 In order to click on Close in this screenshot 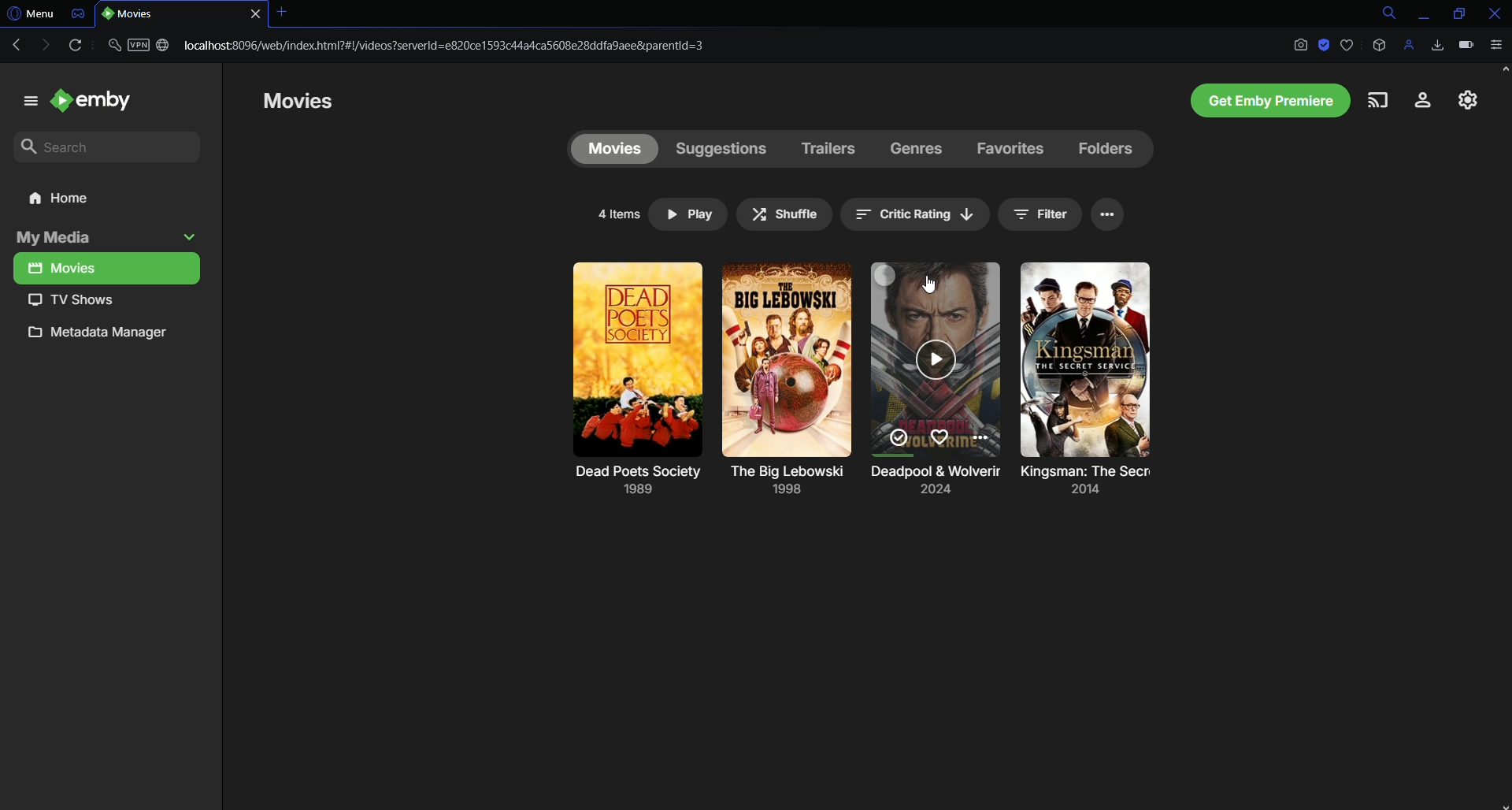, I will do `click(1491, 13)`.